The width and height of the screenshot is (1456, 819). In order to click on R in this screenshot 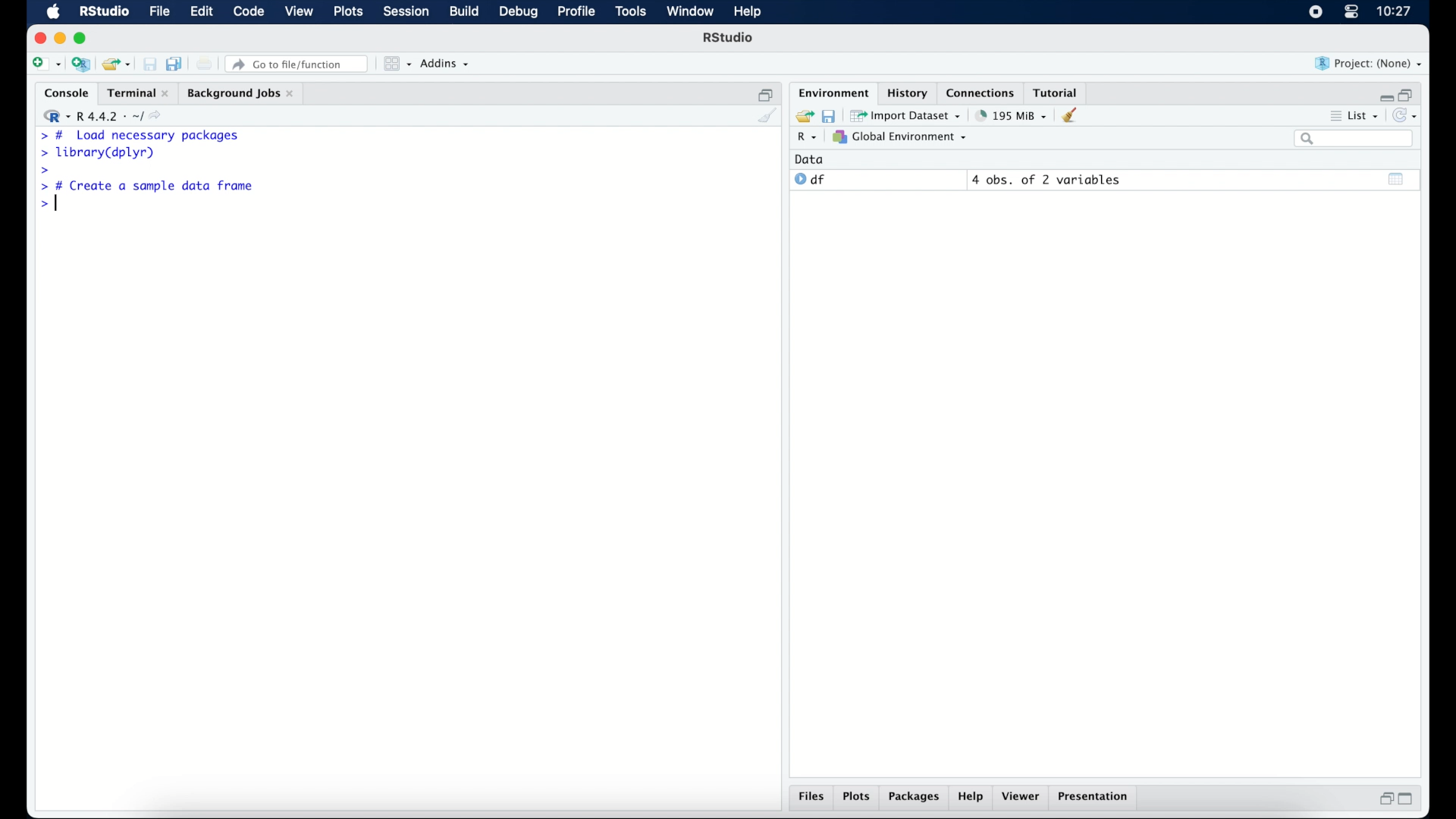, I will do `click(805, 139)`.